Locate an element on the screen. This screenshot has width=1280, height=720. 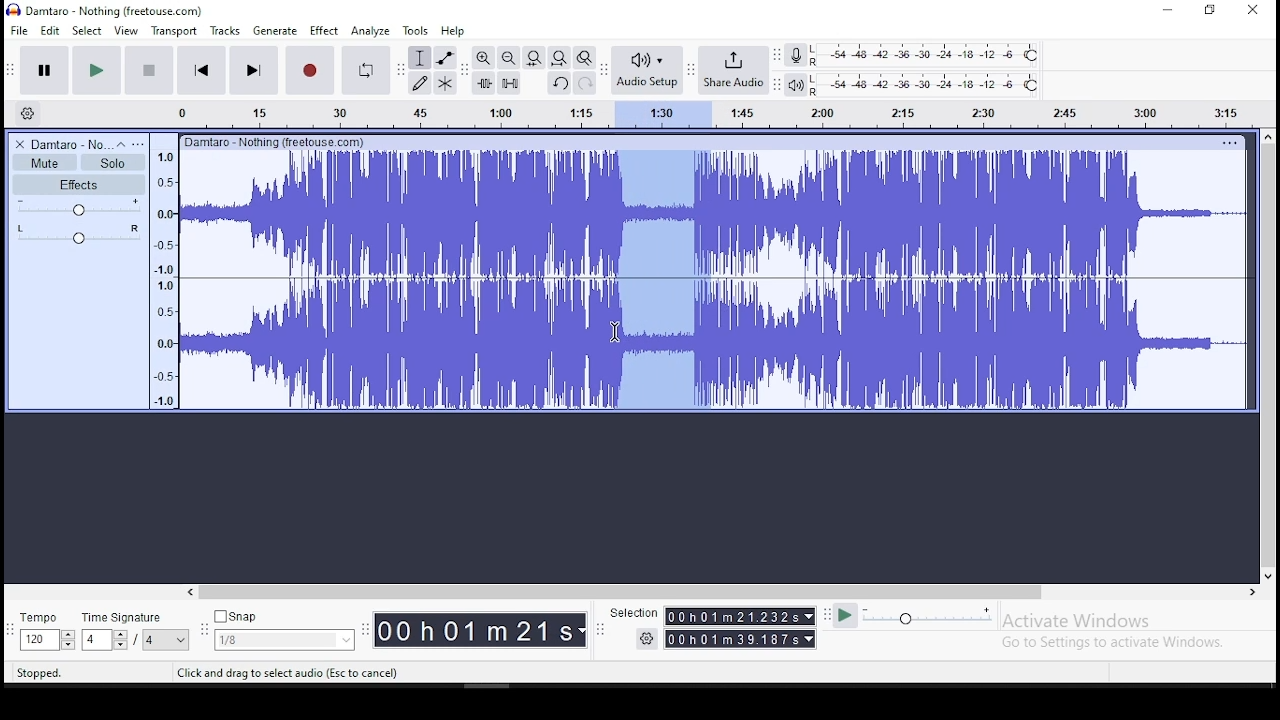
envelope tool is located at coordinates (444, 57).